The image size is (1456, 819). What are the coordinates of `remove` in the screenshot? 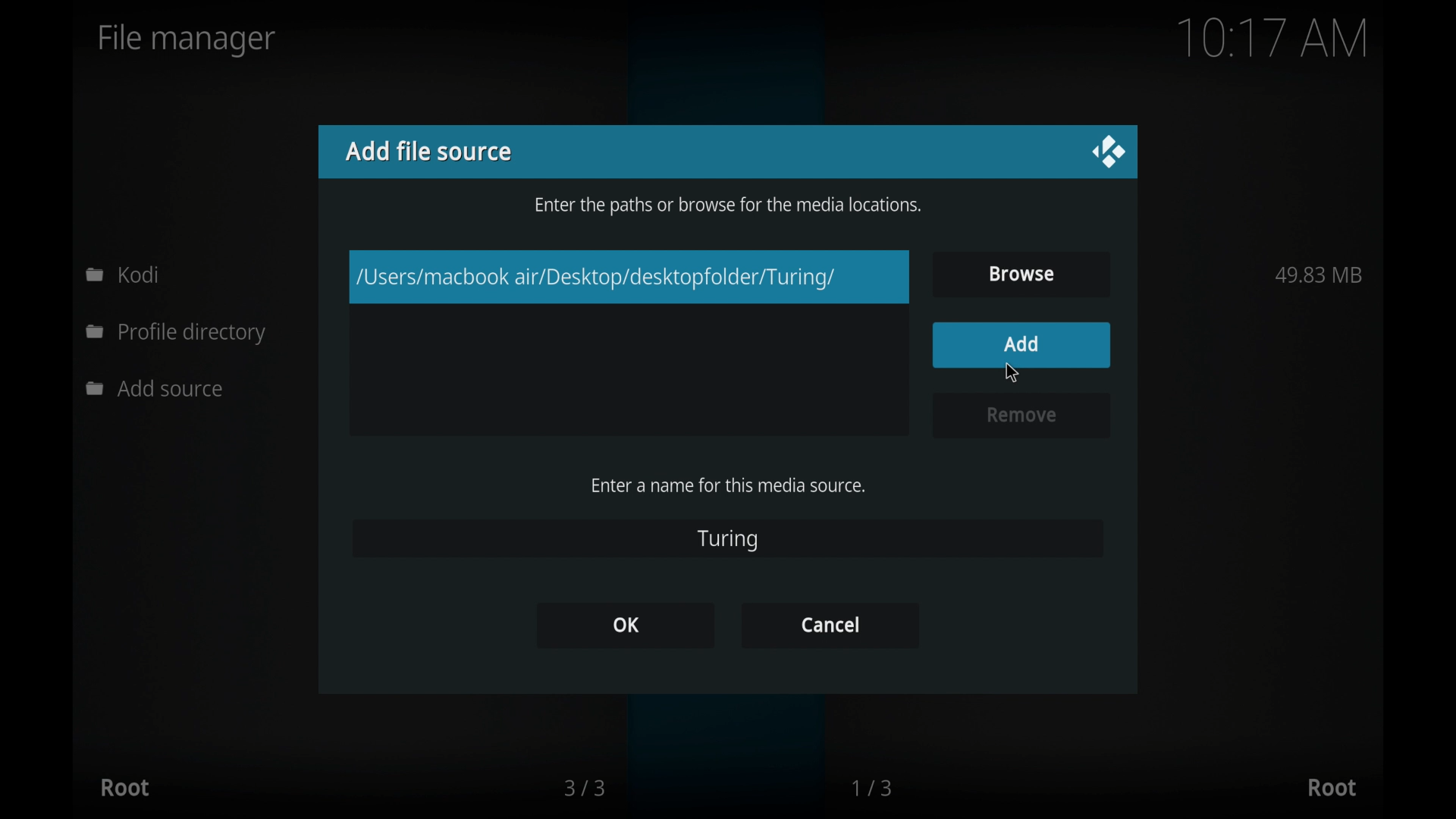 It's located at (1020, 414).